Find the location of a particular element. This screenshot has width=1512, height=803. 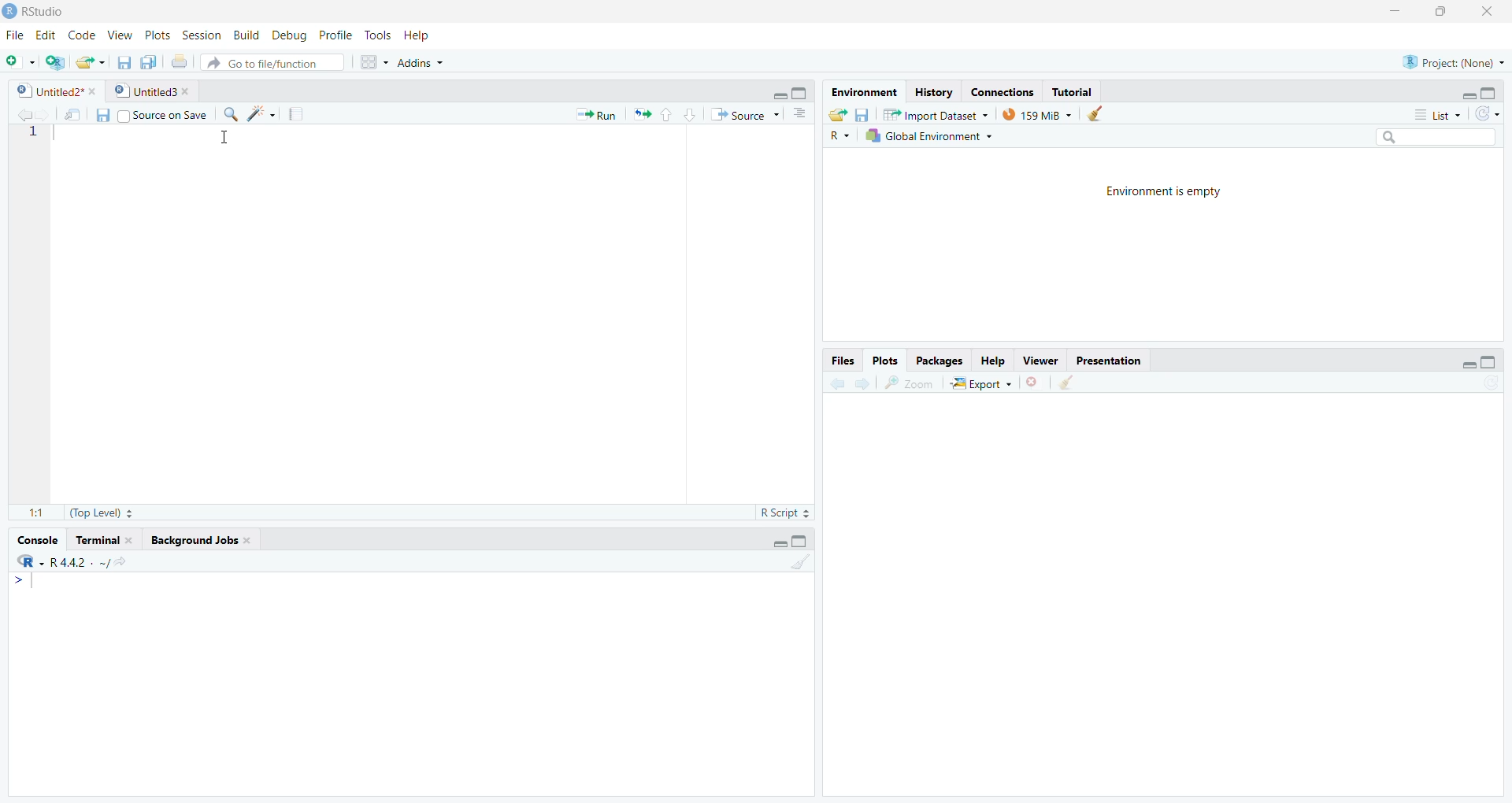

New file is located at coordinates (19, 62).